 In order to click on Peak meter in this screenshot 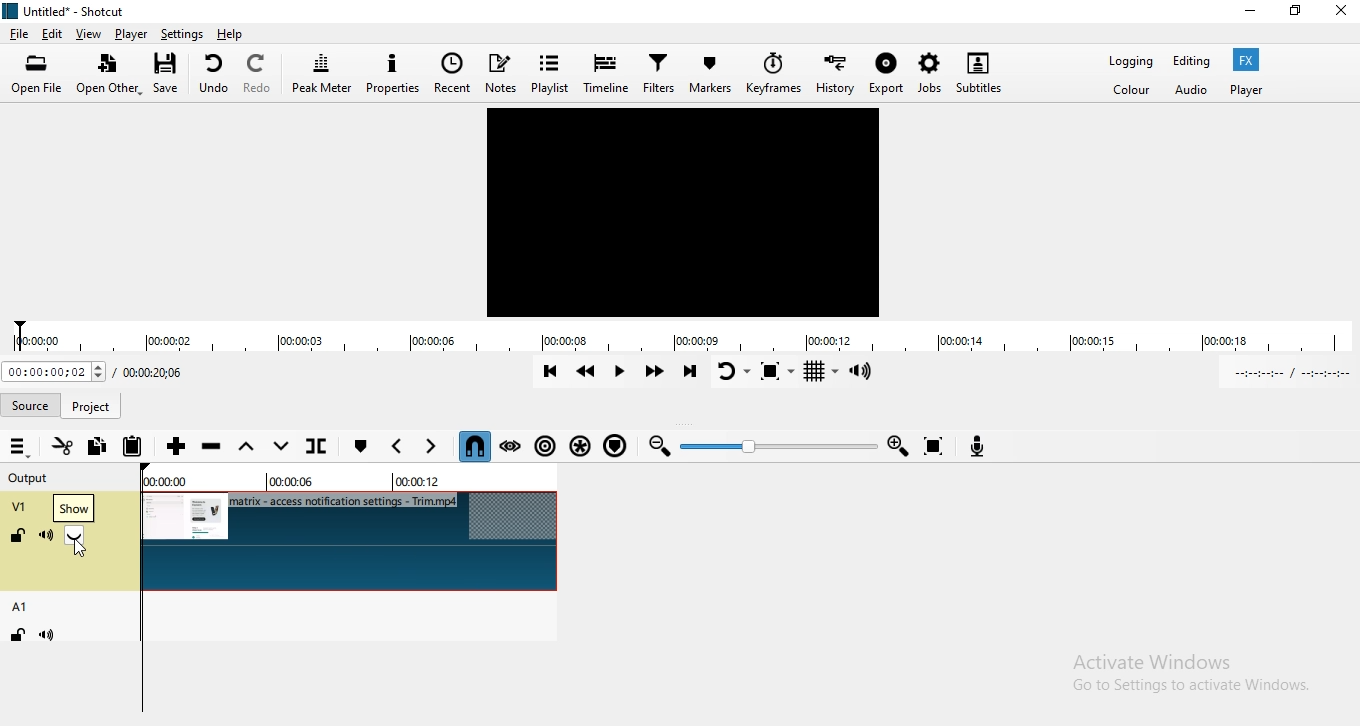, I will do `click(327, 76)`.